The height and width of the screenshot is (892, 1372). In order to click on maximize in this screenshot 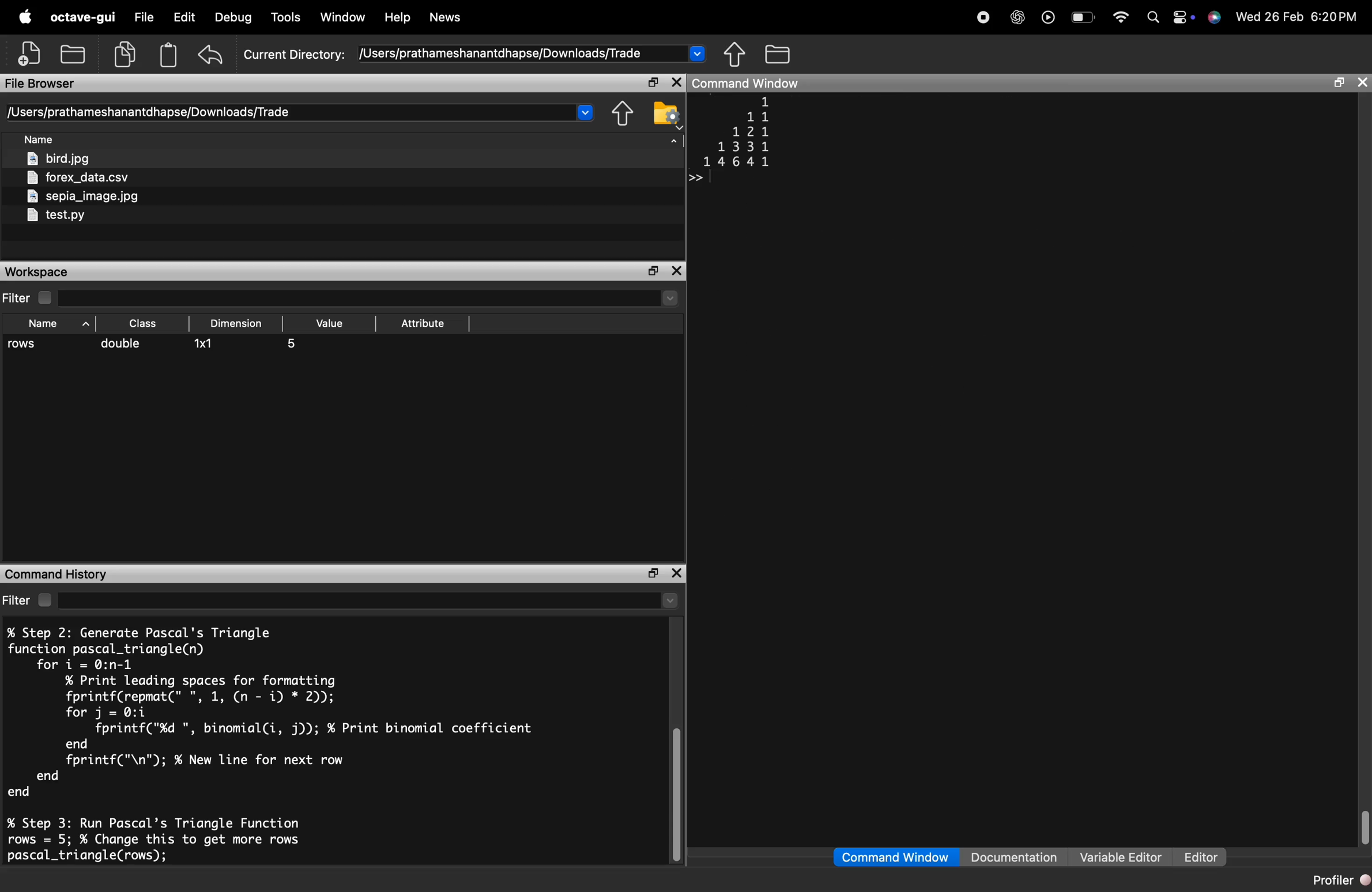, I will do `click(651, 574)`.